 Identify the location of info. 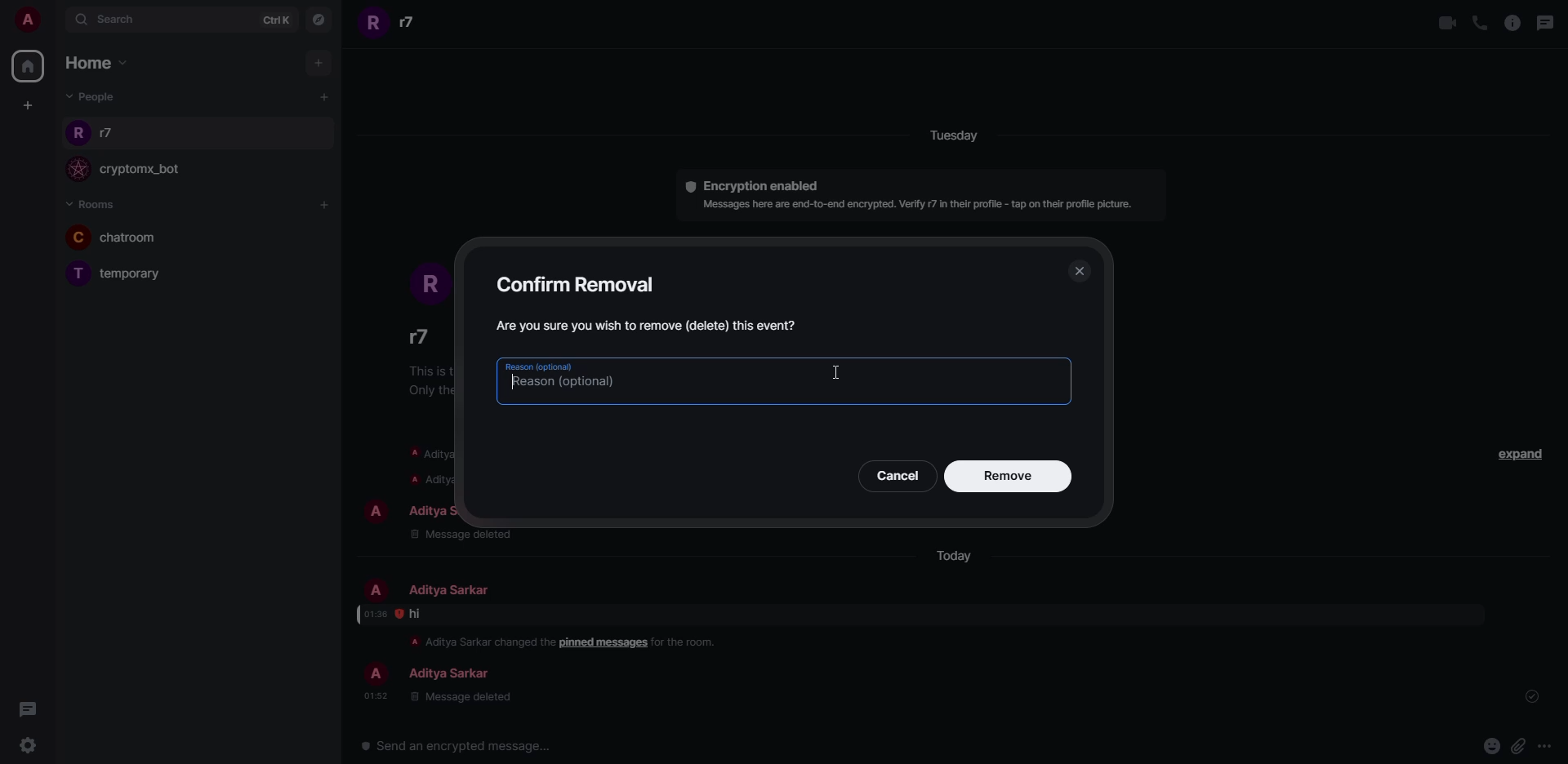
(920, 205).